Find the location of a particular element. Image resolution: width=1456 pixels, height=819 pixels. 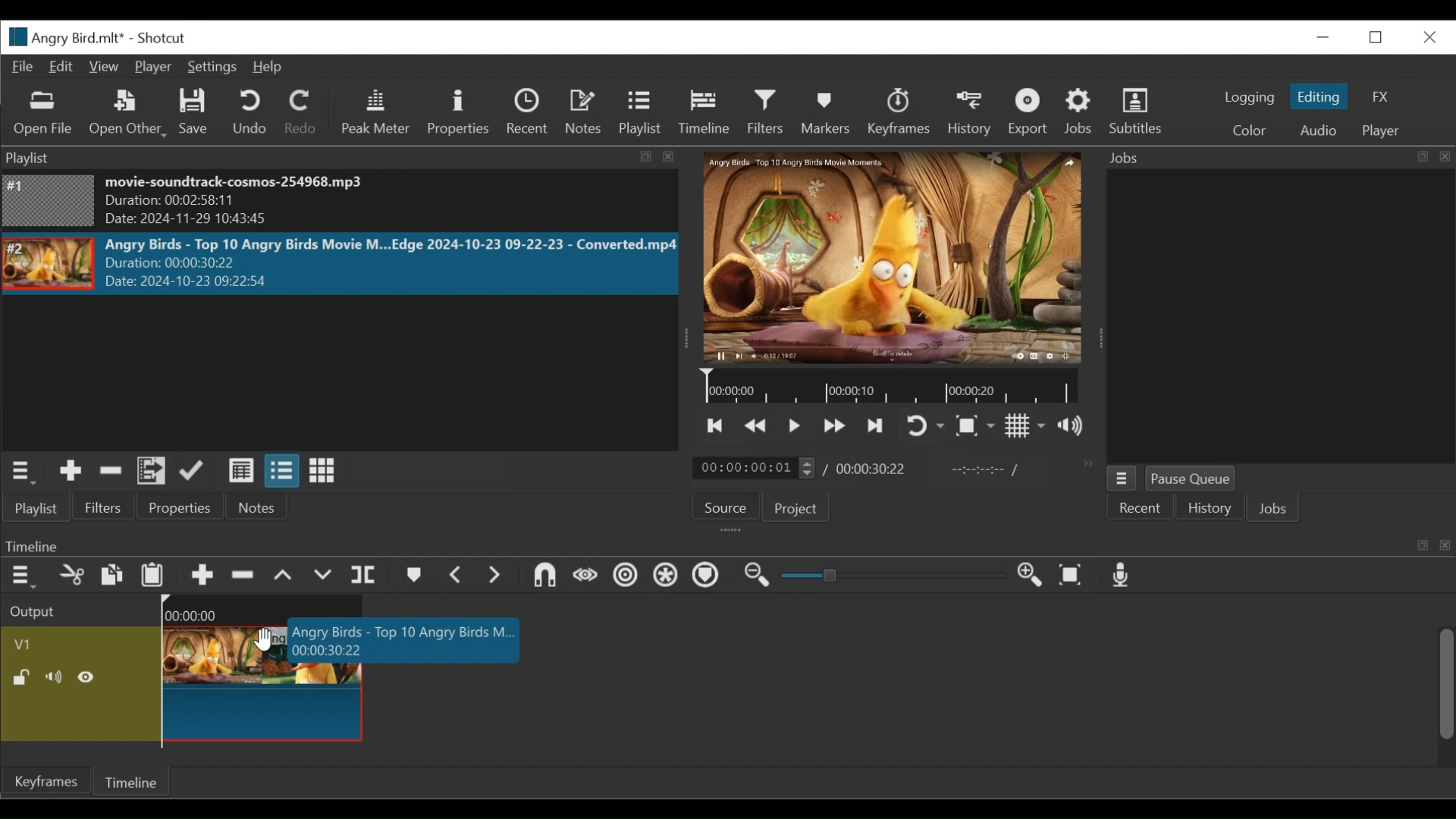

Keyframes is located at coordinates (897, 111).